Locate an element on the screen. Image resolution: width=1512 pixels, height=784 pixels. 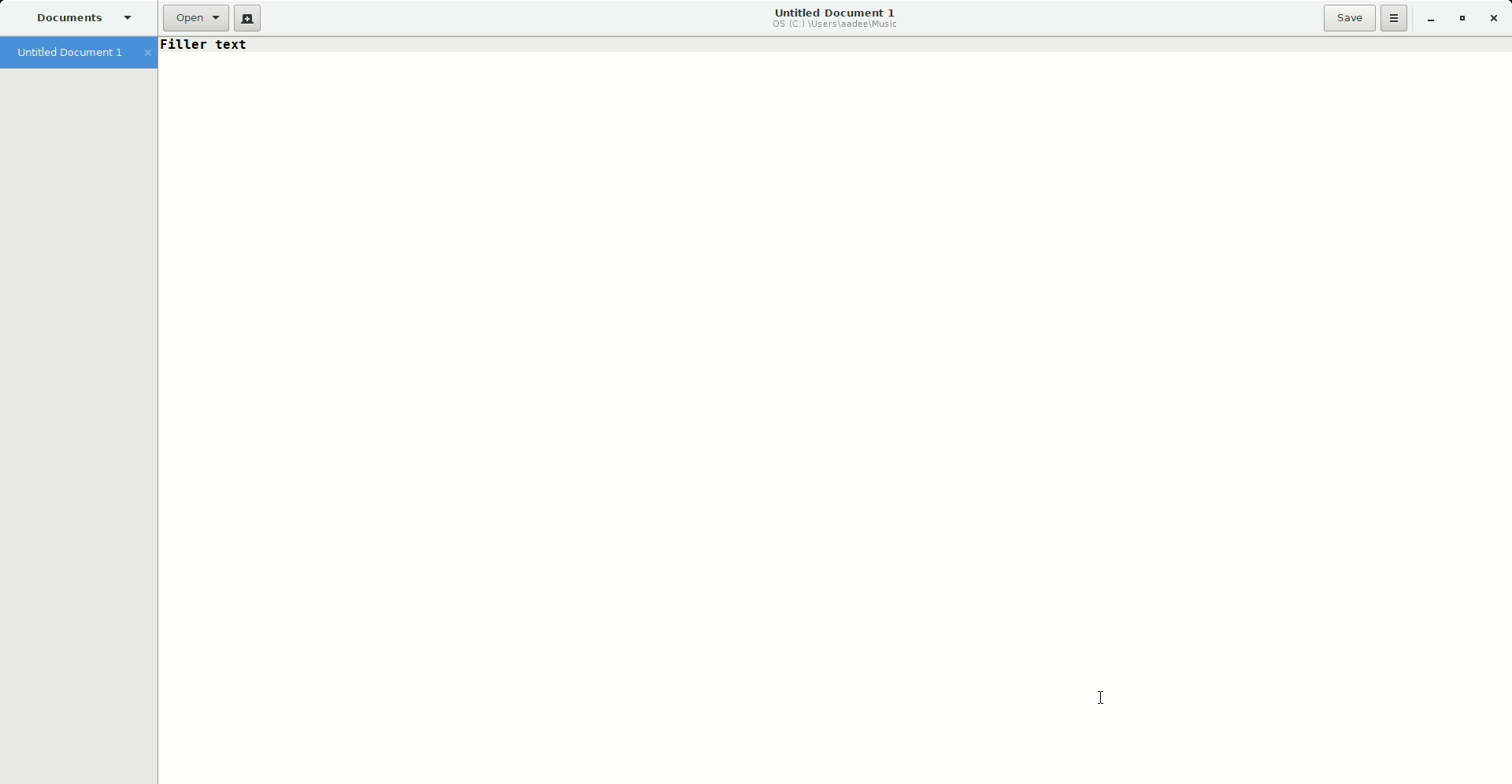
Save is located at coordinates (1350, 19).